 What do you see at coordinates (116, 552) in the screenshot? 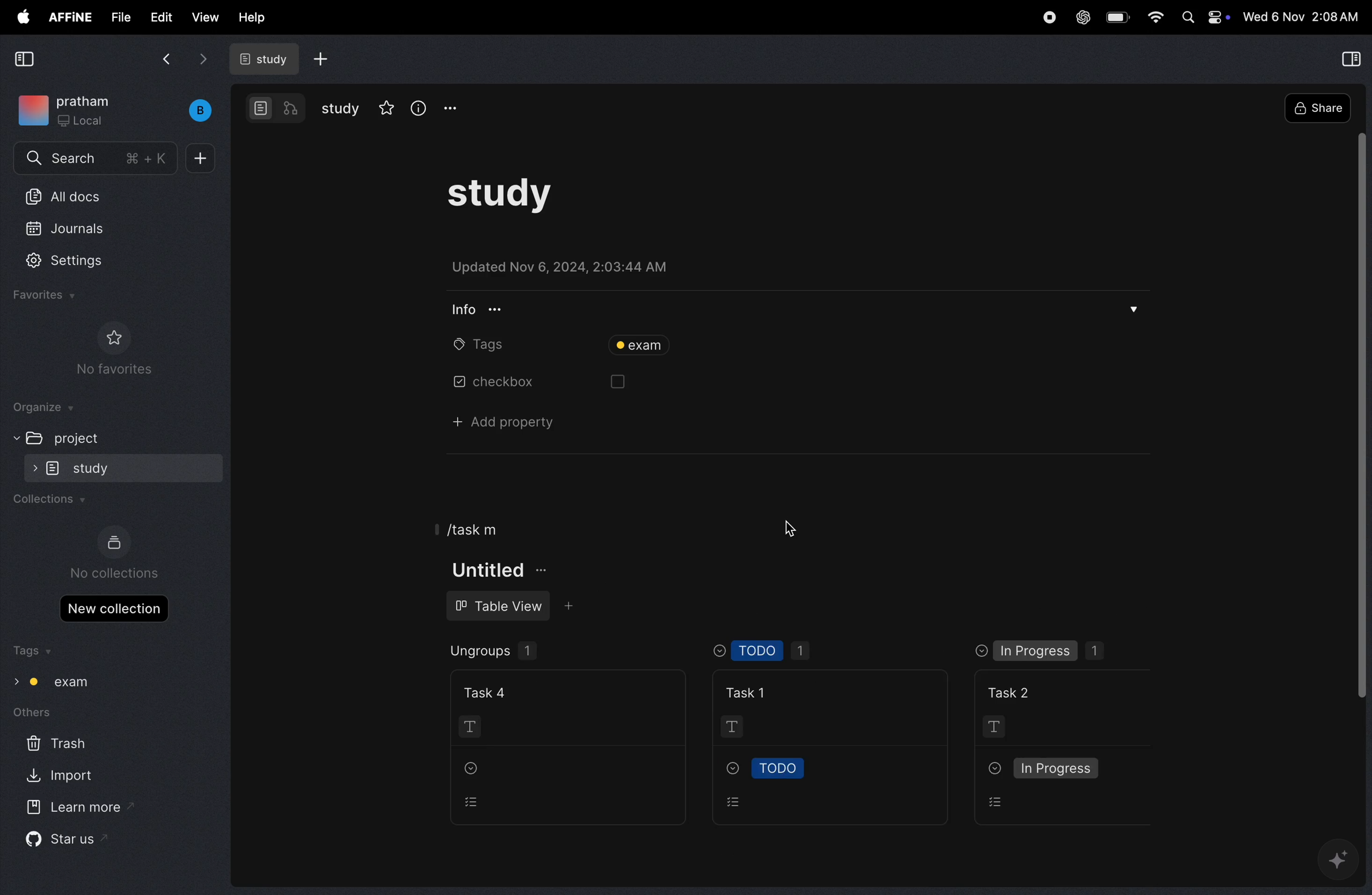
I see `no collections` at bounding box center [116, 552].